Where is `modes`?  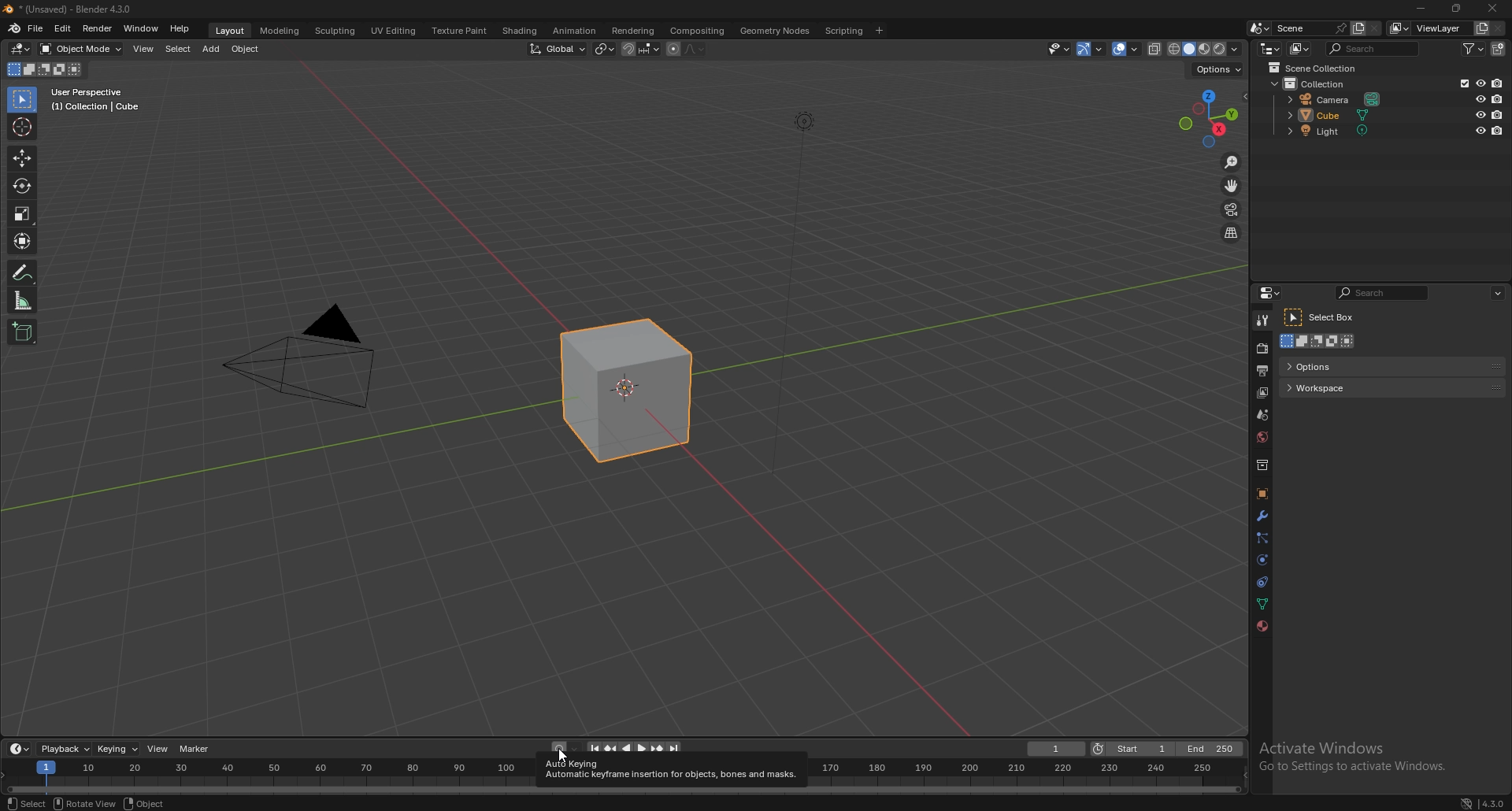 modes is located at coordinates (44, 69).